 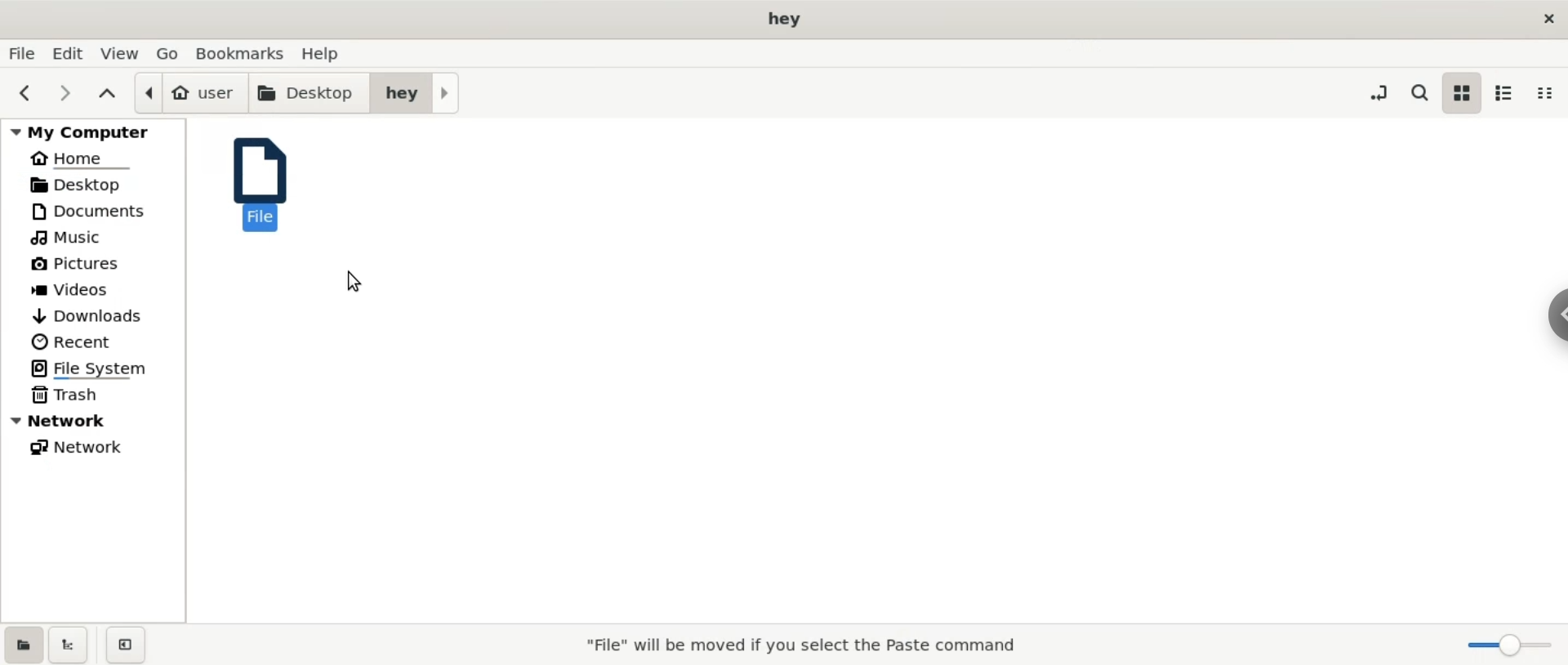 I want to click on desktop, so click(x=304, y=93).